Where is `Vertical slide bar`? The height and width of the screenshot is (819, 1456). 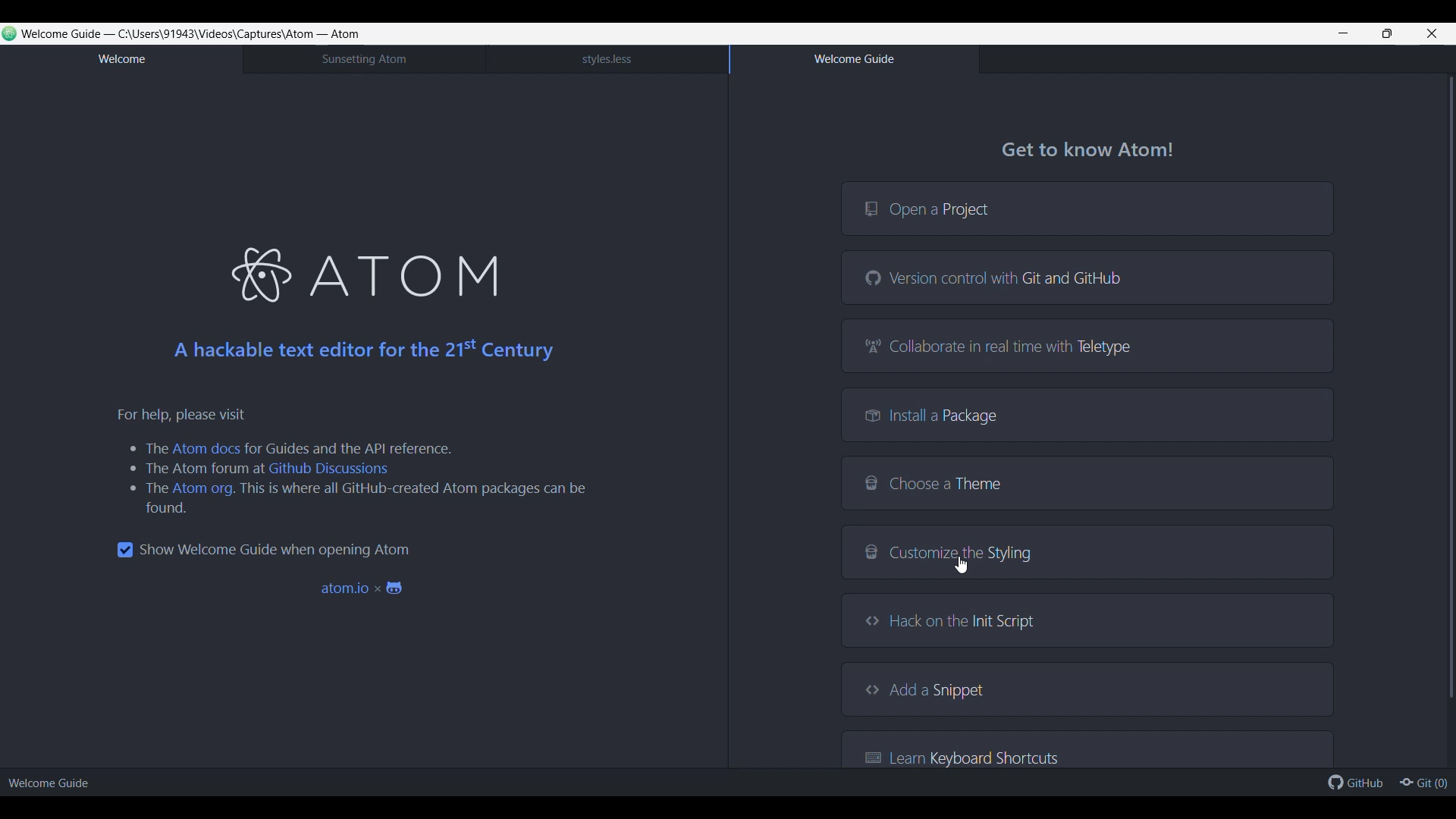
Vertical slide bar is located at coordinates (1451, 386).